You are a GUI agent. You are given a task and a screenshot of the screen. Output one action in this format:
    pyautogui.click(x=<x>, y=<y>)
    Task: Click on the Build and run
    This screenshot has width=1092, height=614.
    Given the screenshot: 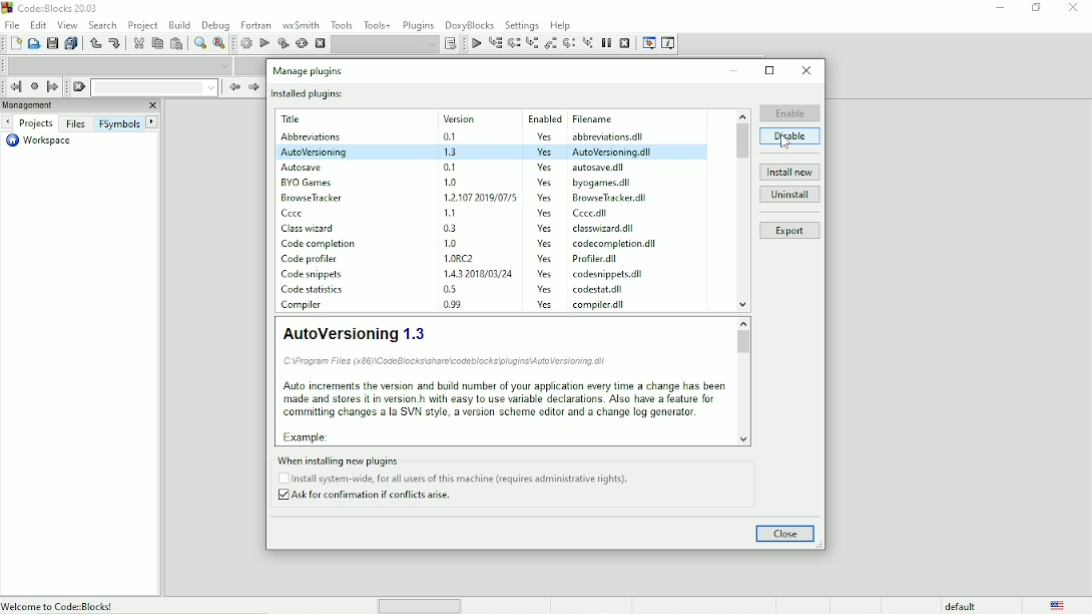 What is the action you would take?
    pyautogui.click(x=283, y=43)
    